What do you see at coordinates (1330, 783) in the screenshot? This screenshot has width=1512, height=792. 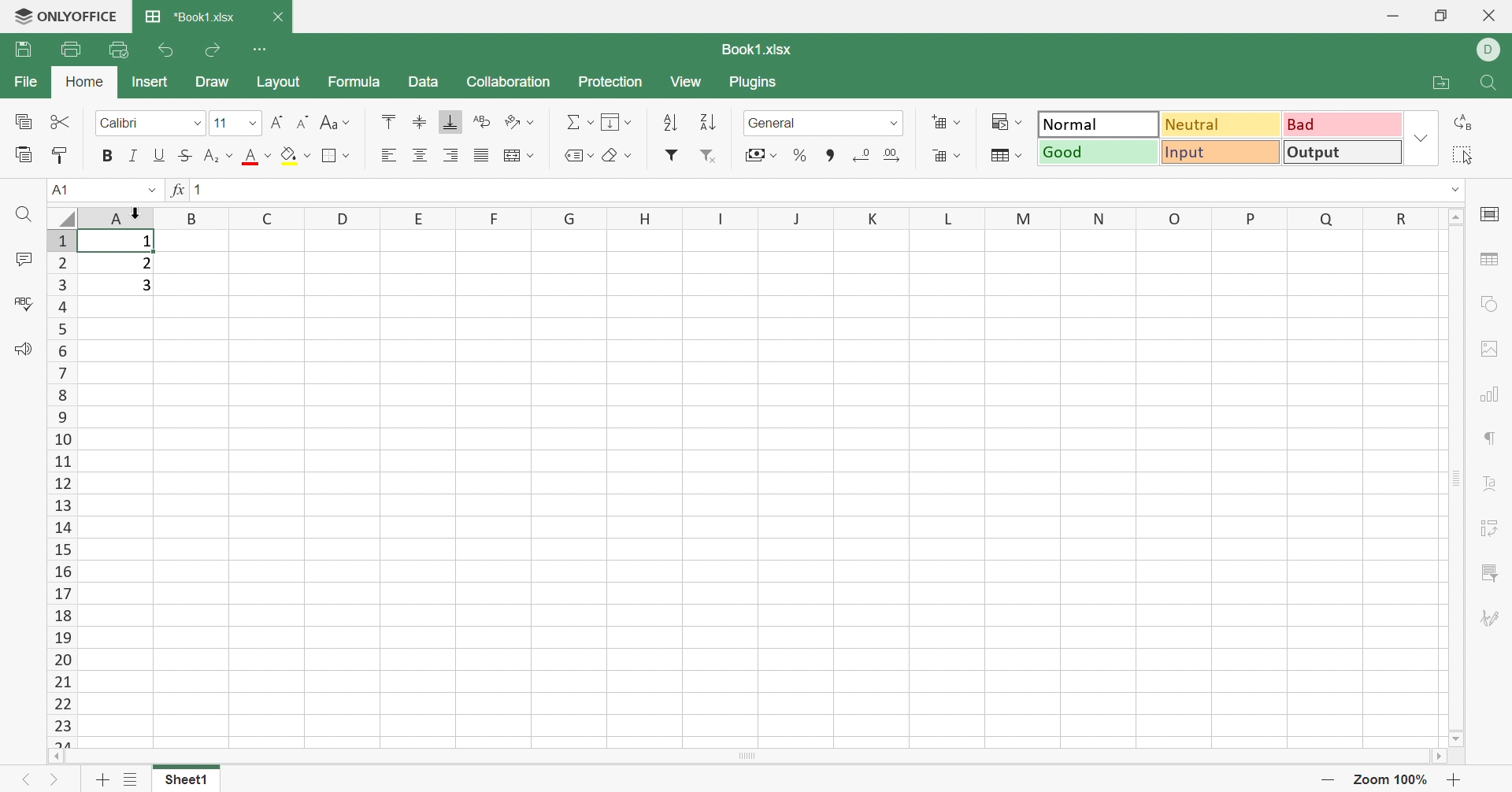 I see `Zoom out` at bounding box center [1330, 783].